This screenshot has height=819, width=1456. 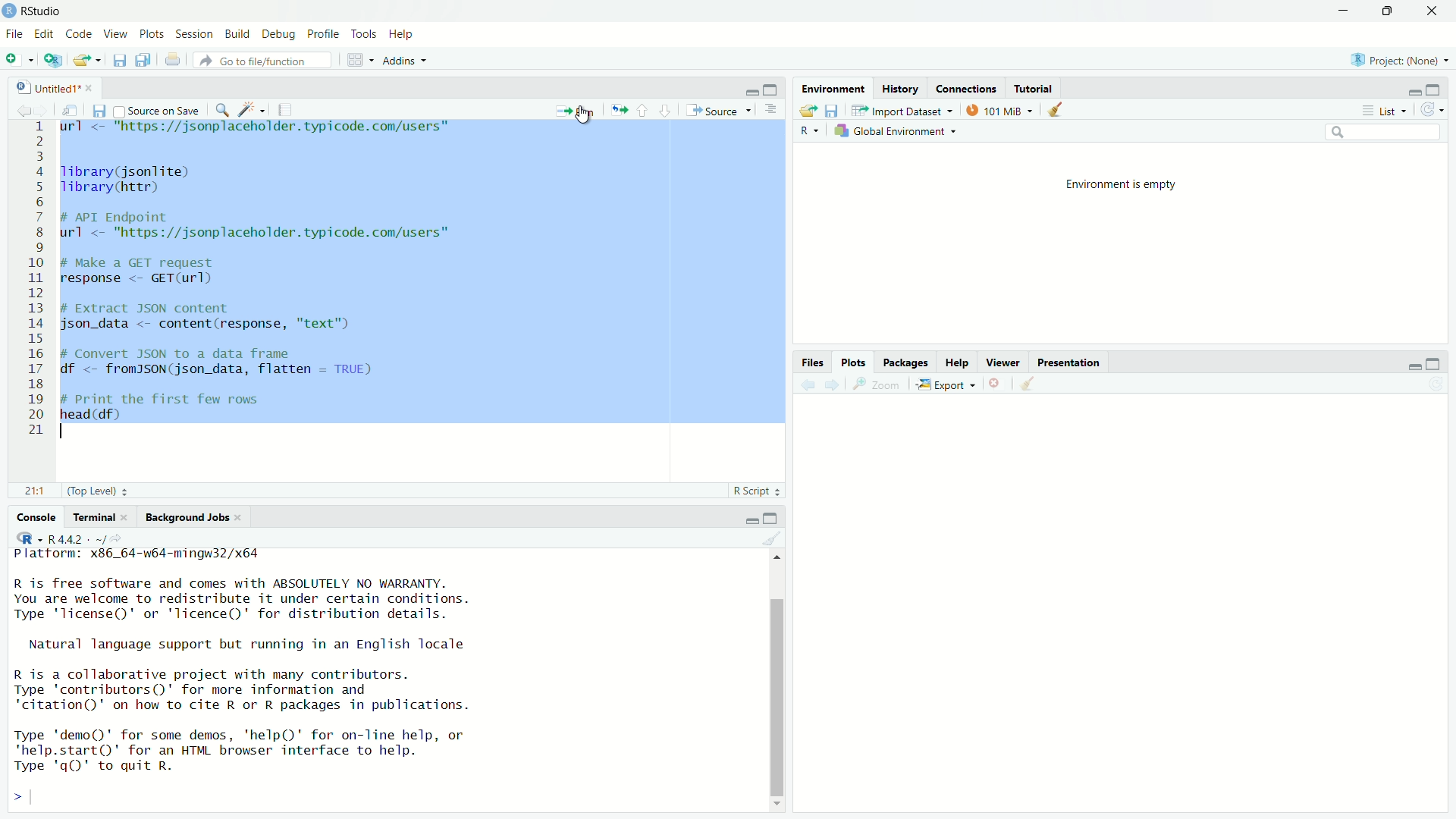 What do you see at coordinates (772, 519) in the screenshot?
I see `Maximize` at bounding box center [772, 519].